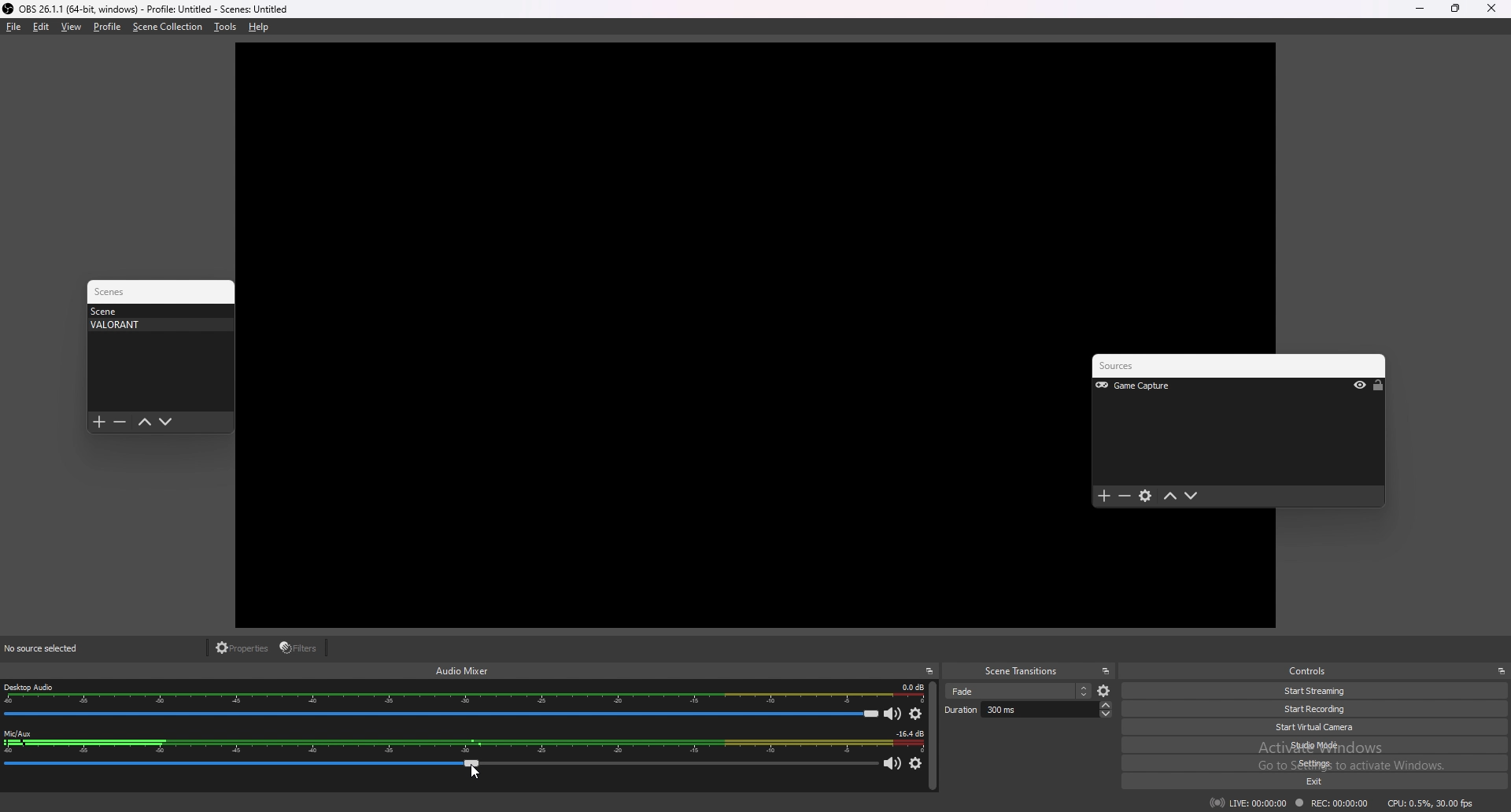 The height and width of the screenshot is (812, 1511). I want to click on pop out, so click(929, 671).